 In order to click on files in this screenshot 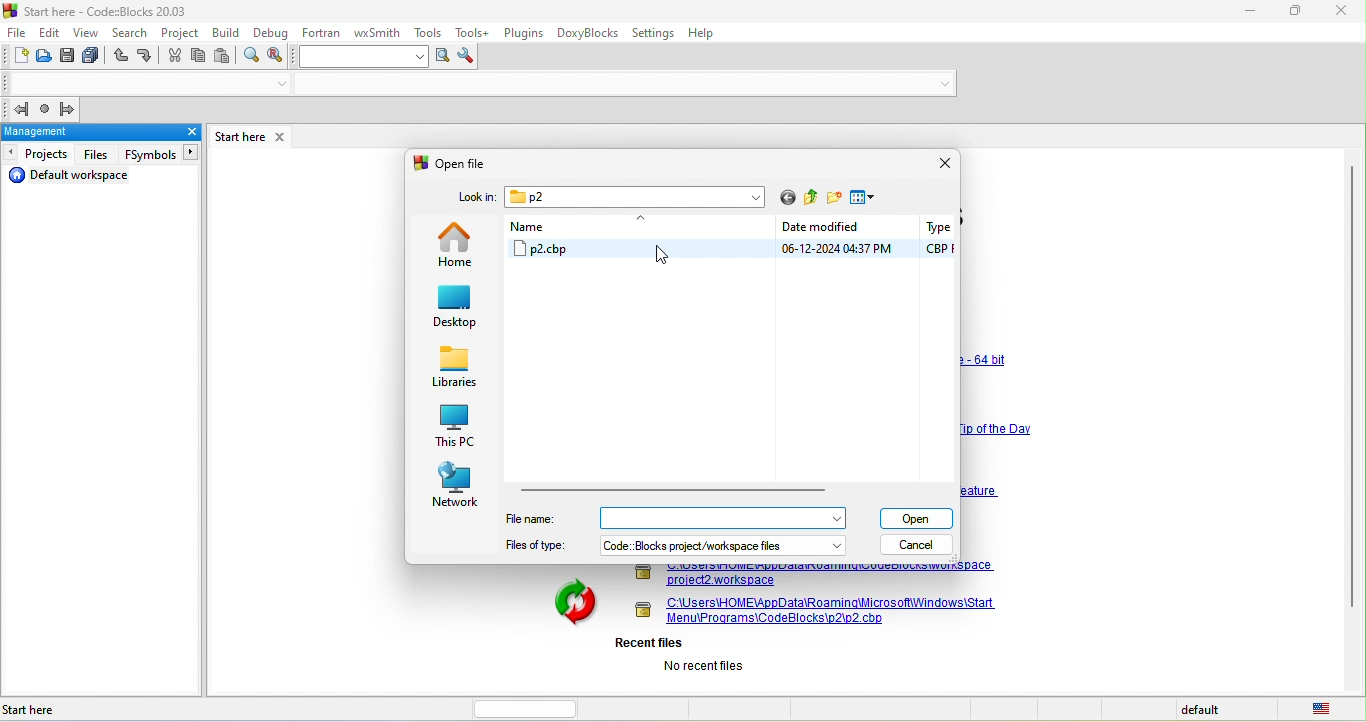, I will do `click(100, 155)`.